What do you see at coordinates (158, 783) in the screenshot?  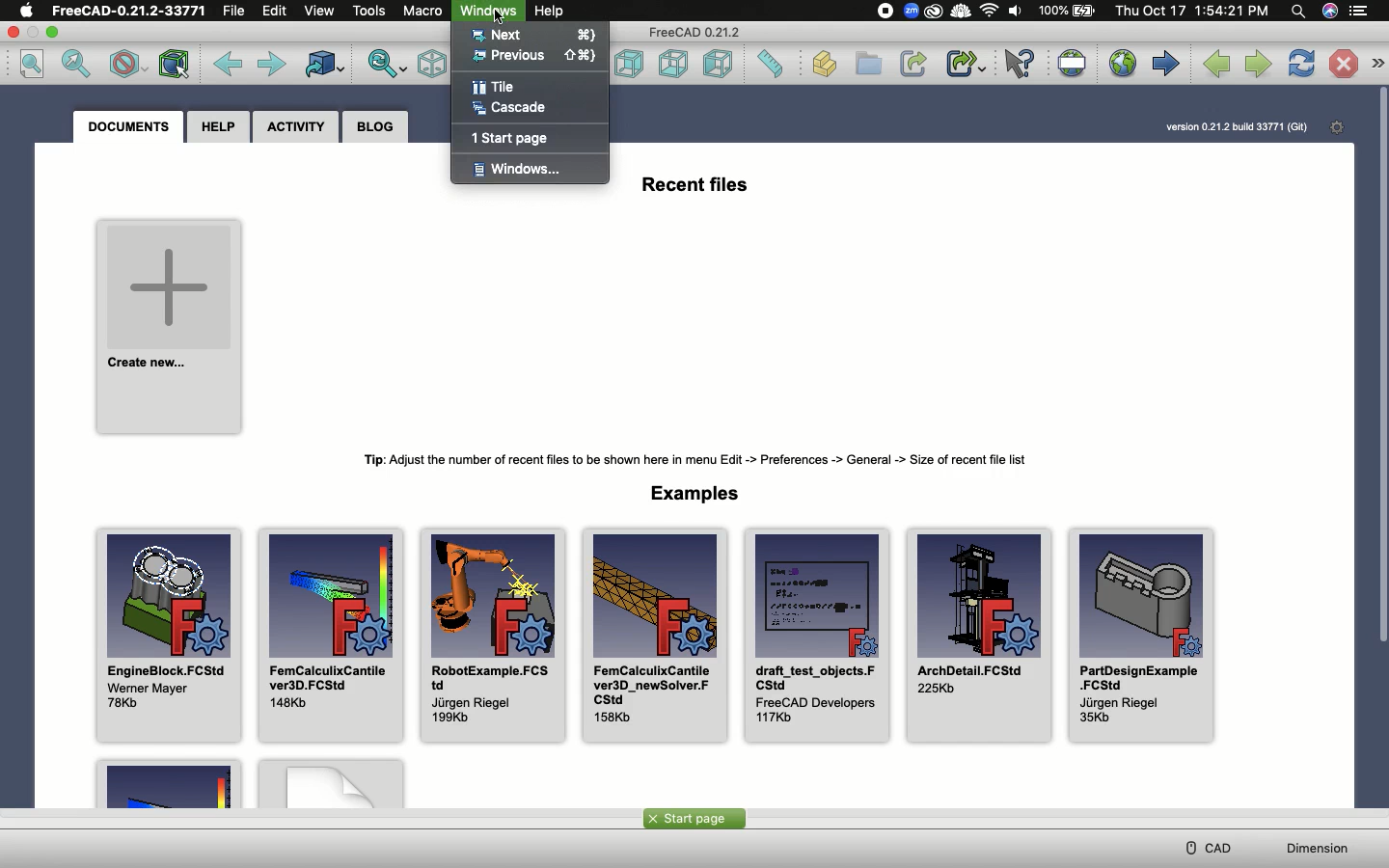 I see `Example` at bounding box center [158, 783].